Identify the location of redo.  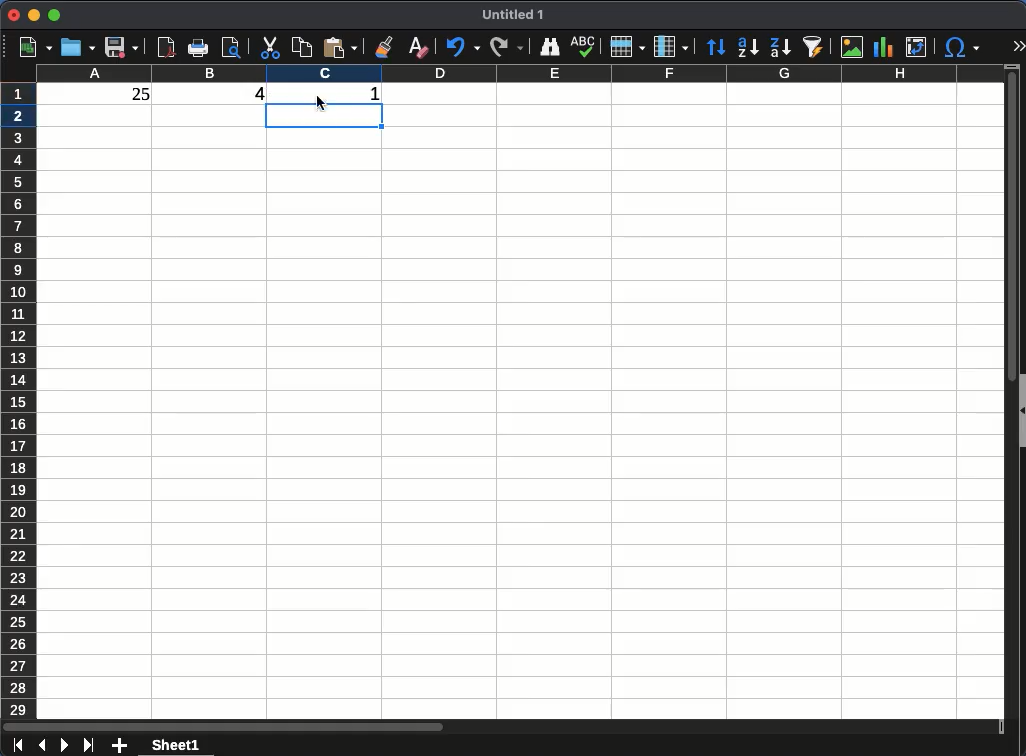
(507, 48).